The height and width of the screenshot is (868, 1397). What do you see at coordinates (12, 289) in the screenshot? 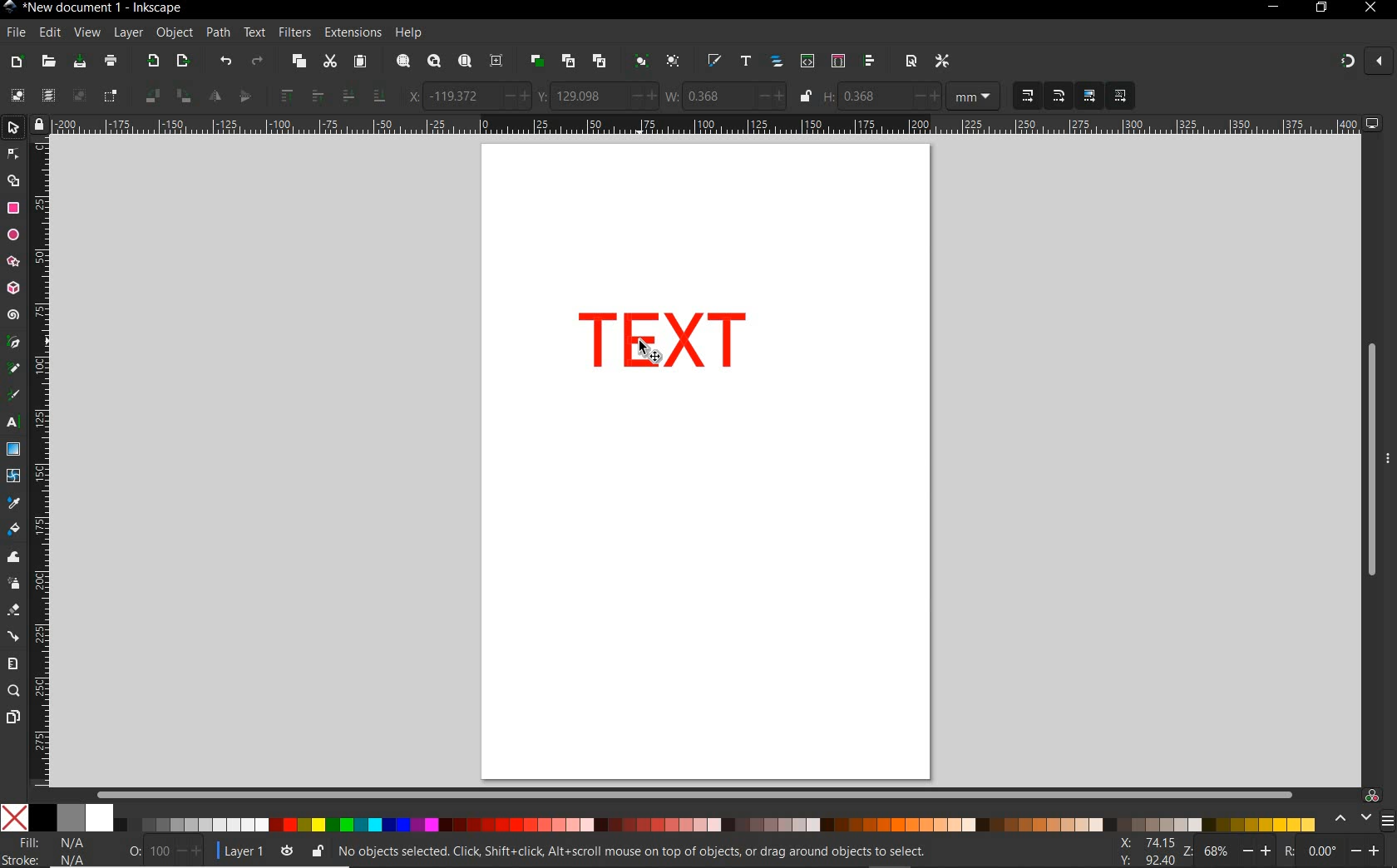
I see `3D BOX TOOL` at bounding box center [12, 289].